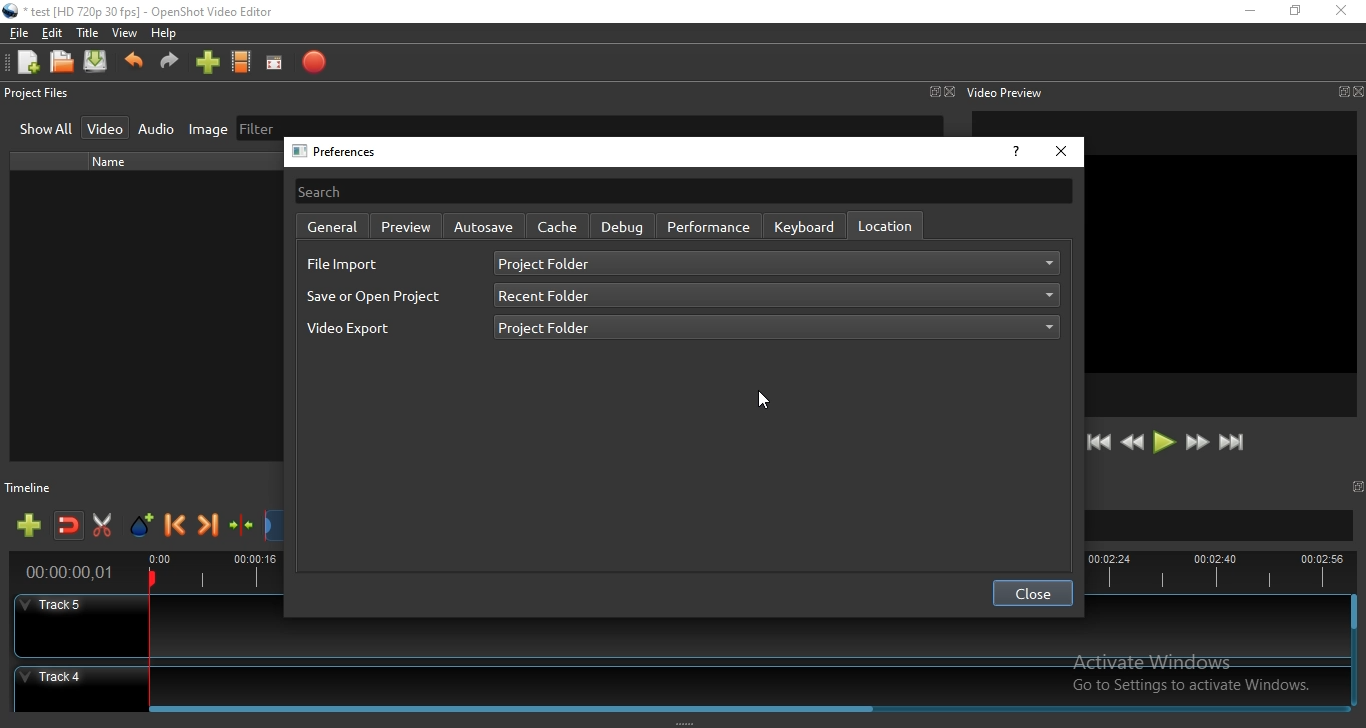 The image size is (1366, 728). What do you see at coordinates (278, 63) in the screenshot?
I see `Full screen ` at bounding box center [278, 63].